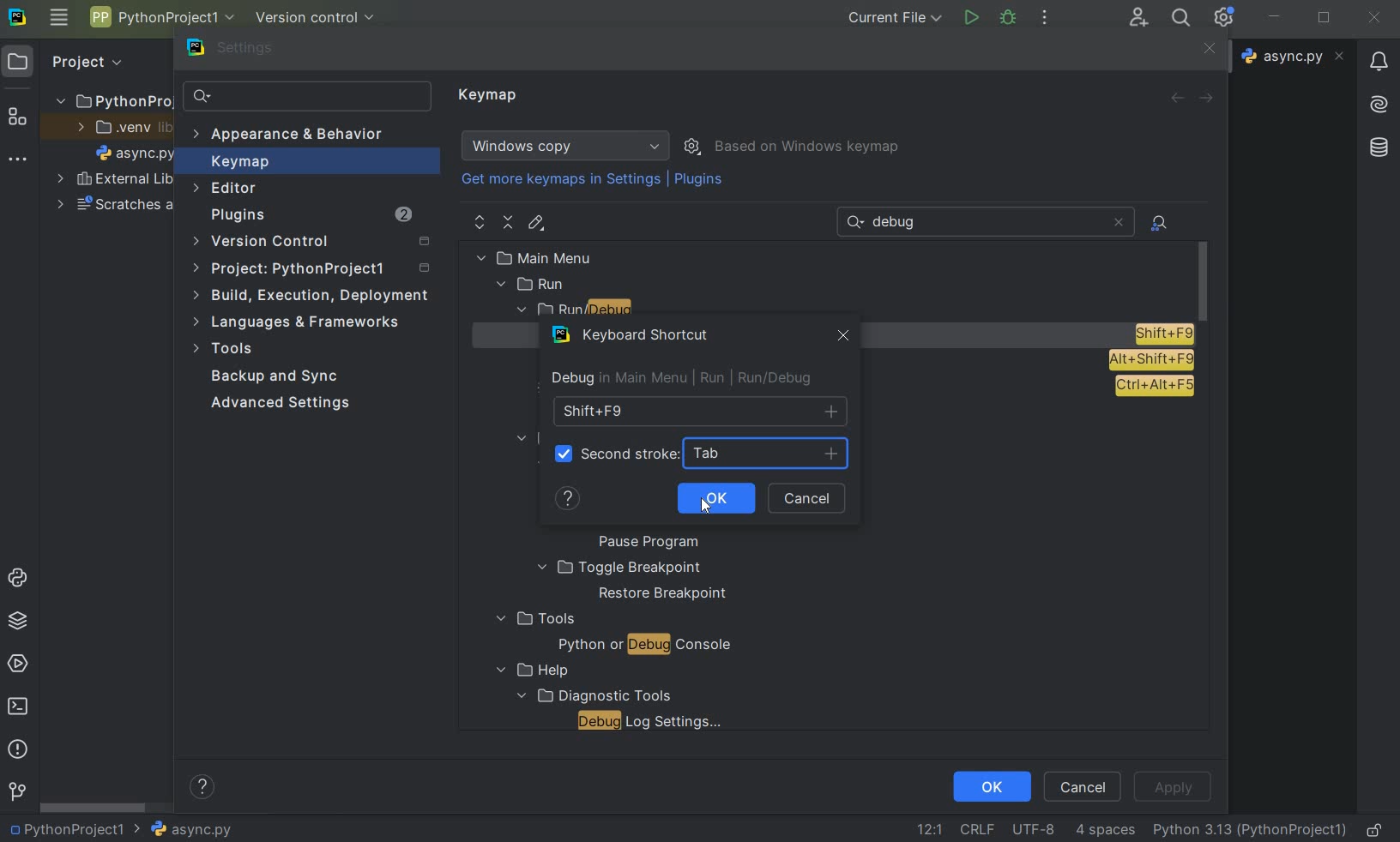  I want to click on search everywhere, so click(1178, 20).